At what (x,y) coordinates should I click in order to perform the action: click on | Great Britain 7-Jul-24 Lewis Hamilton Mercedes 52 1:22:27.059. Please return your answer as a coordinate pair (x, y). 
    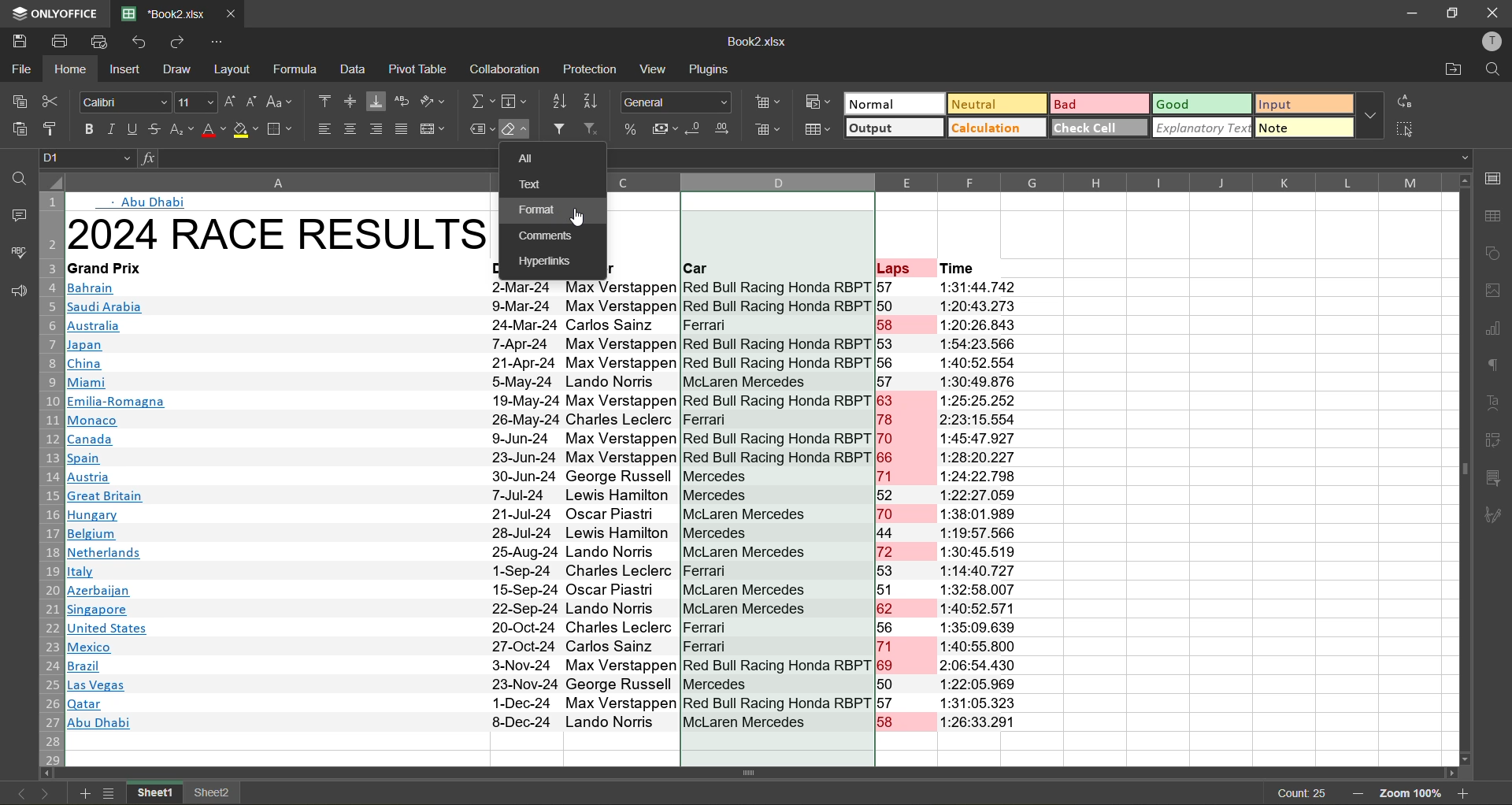
    Looking at the image, I should click on (547, 495).